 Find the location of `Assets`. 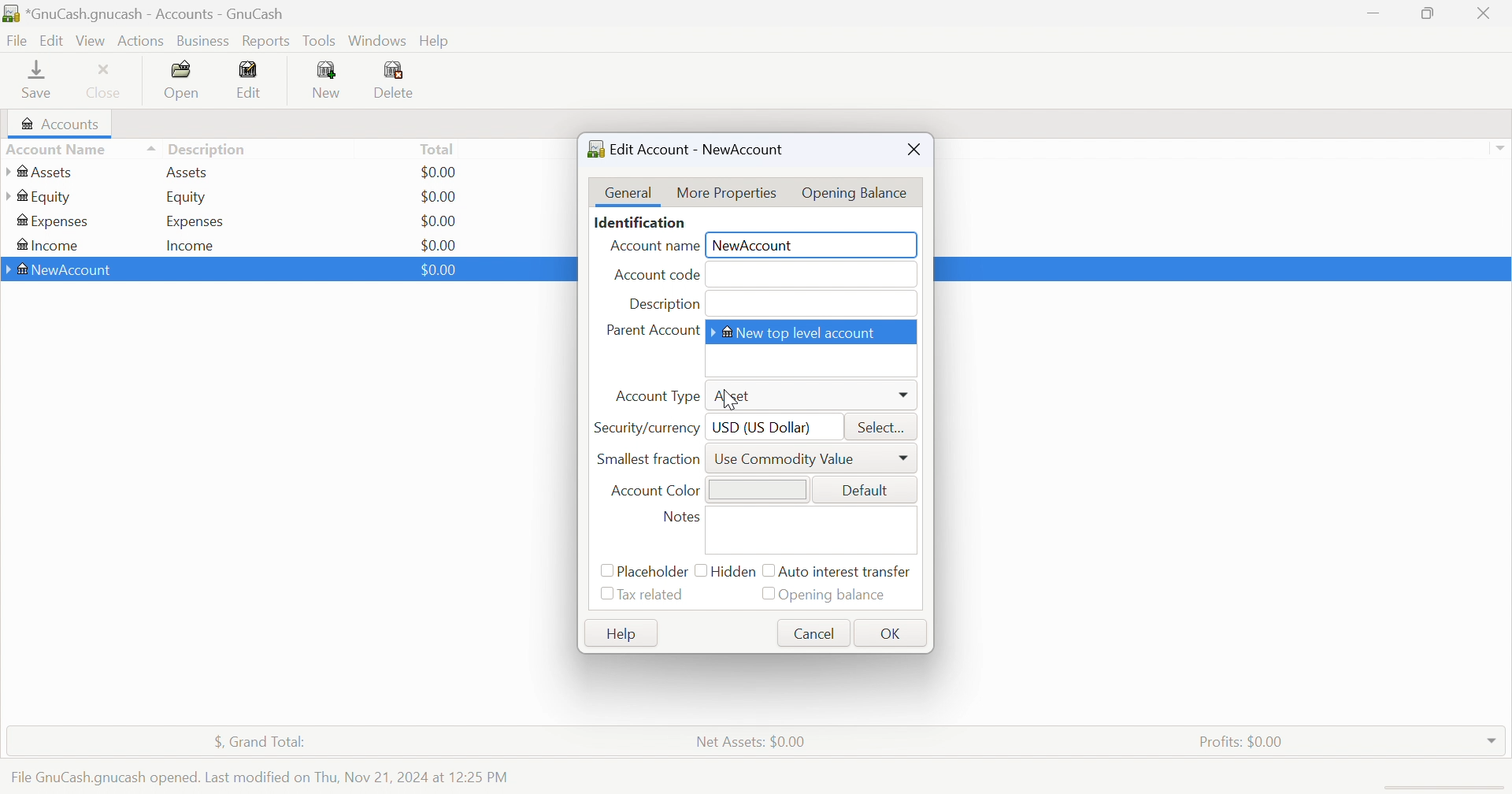

Assets is located at coordinates (48, 172).